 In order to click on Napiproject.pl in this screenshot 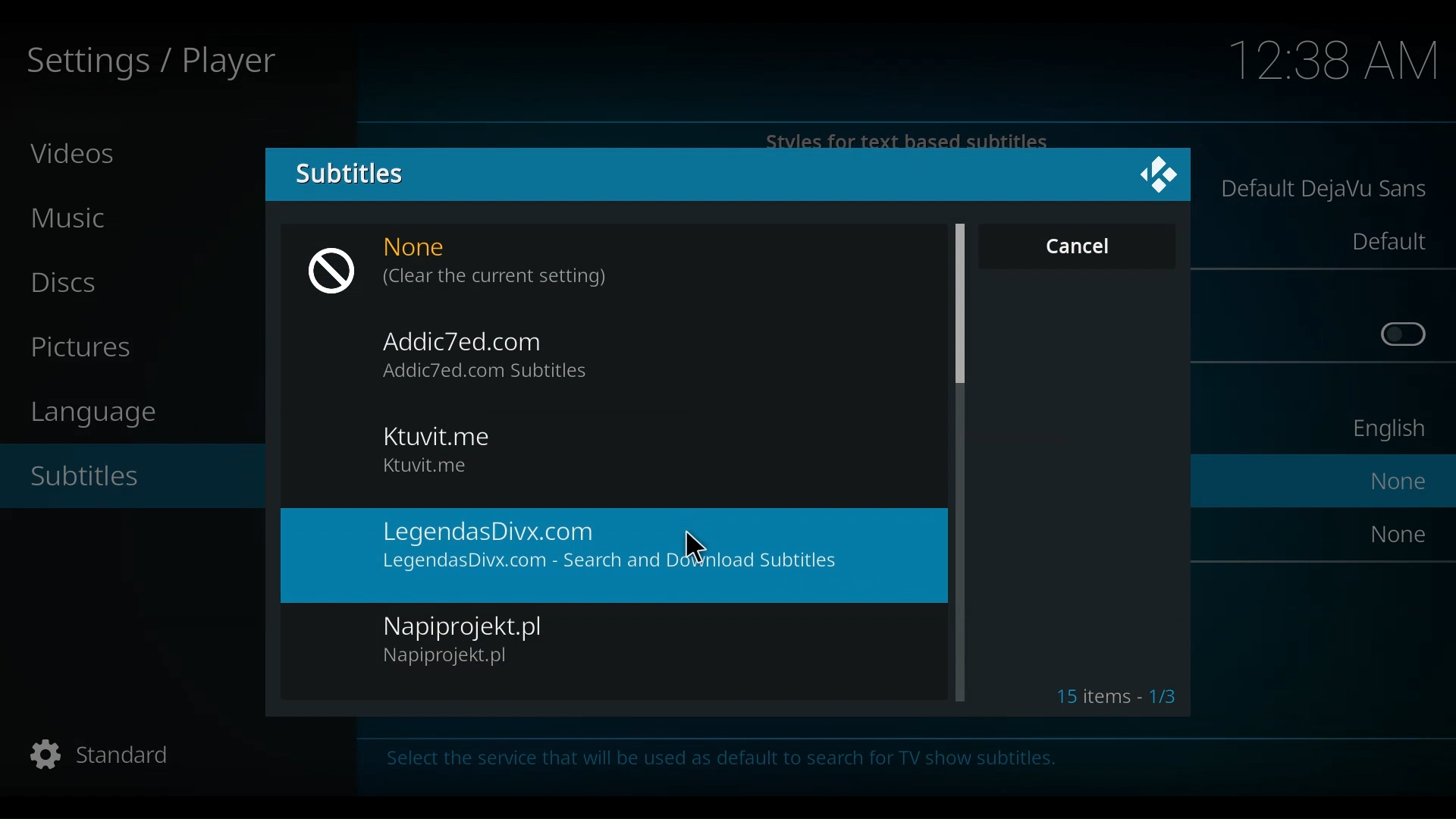, I will do `click(475, 626)`.